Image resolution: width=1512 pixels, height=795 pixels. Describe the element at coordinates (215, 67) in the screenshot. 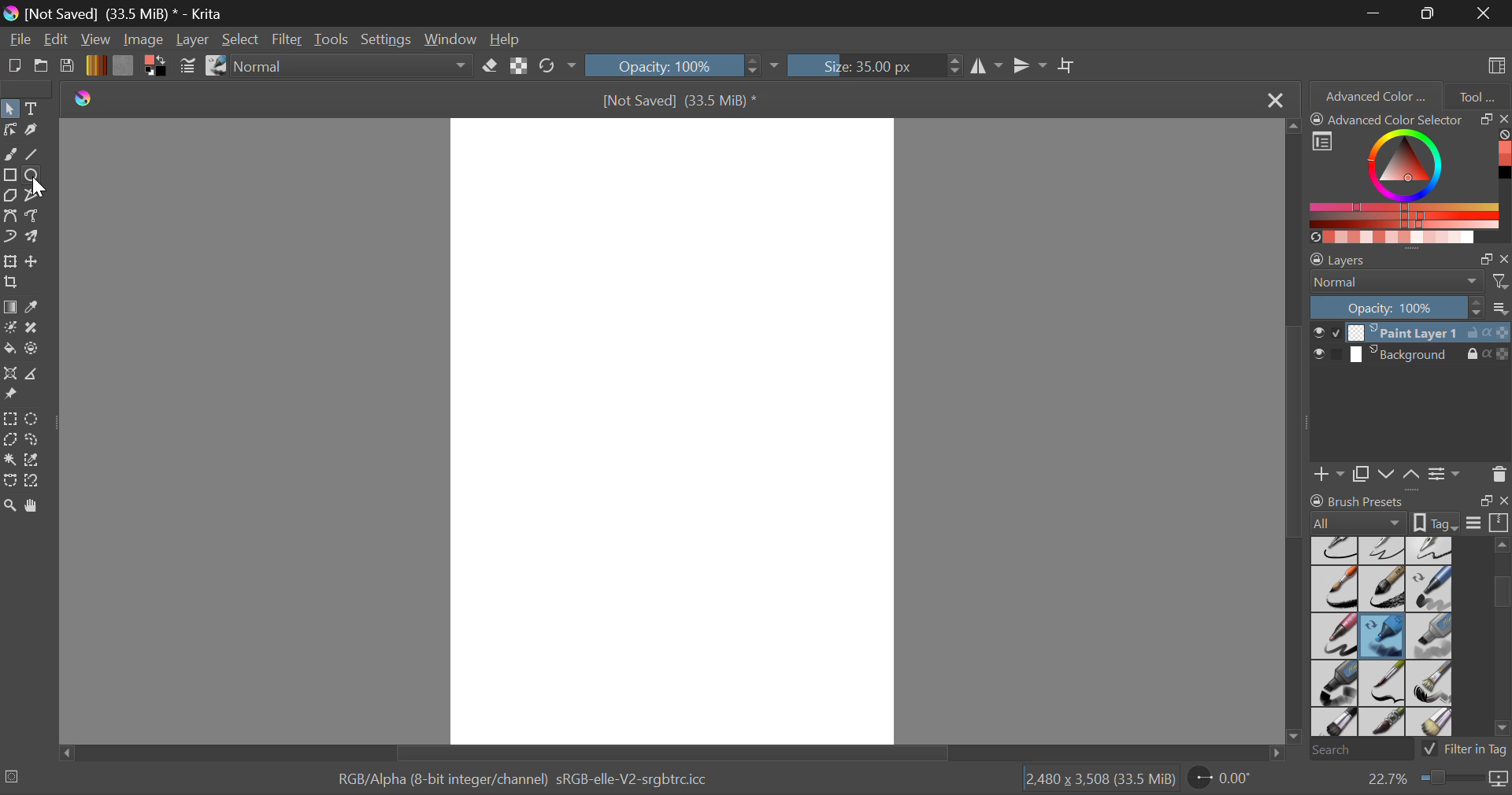

I see `Stroke Type` at that location.